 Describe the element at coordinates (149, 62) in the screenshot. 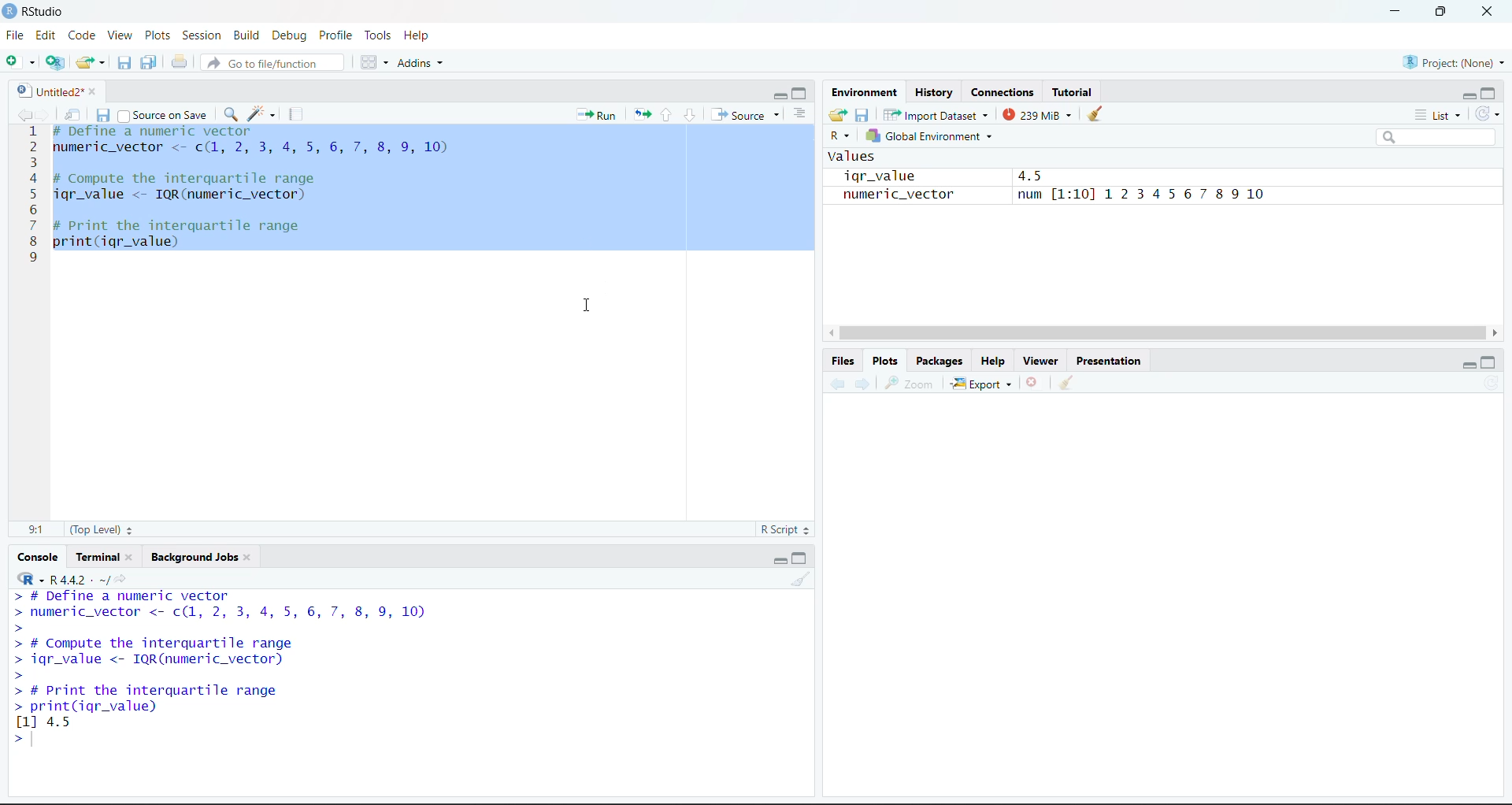

I see `Save all open documents (Ctrl + Alt + S)` at that location.